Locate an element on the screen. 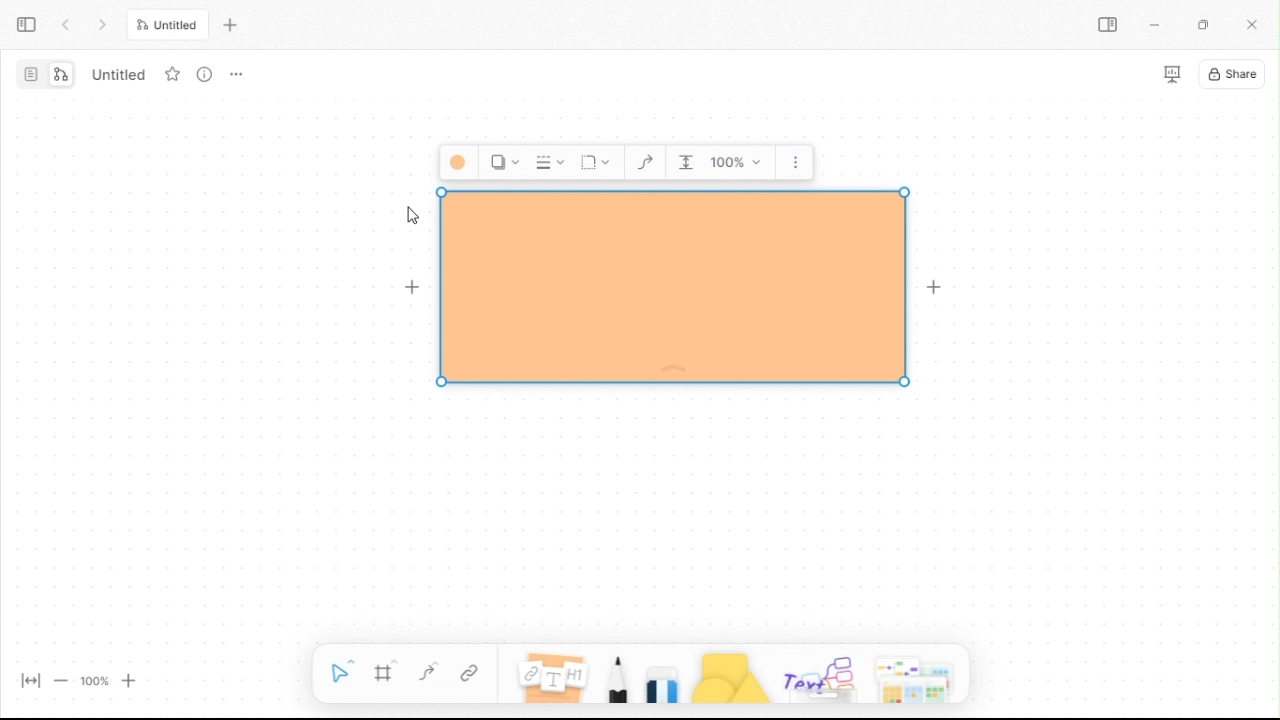 Image resolution: width=1280 pixels, height=720 pixels. Add is located at coordinates (939, 289).